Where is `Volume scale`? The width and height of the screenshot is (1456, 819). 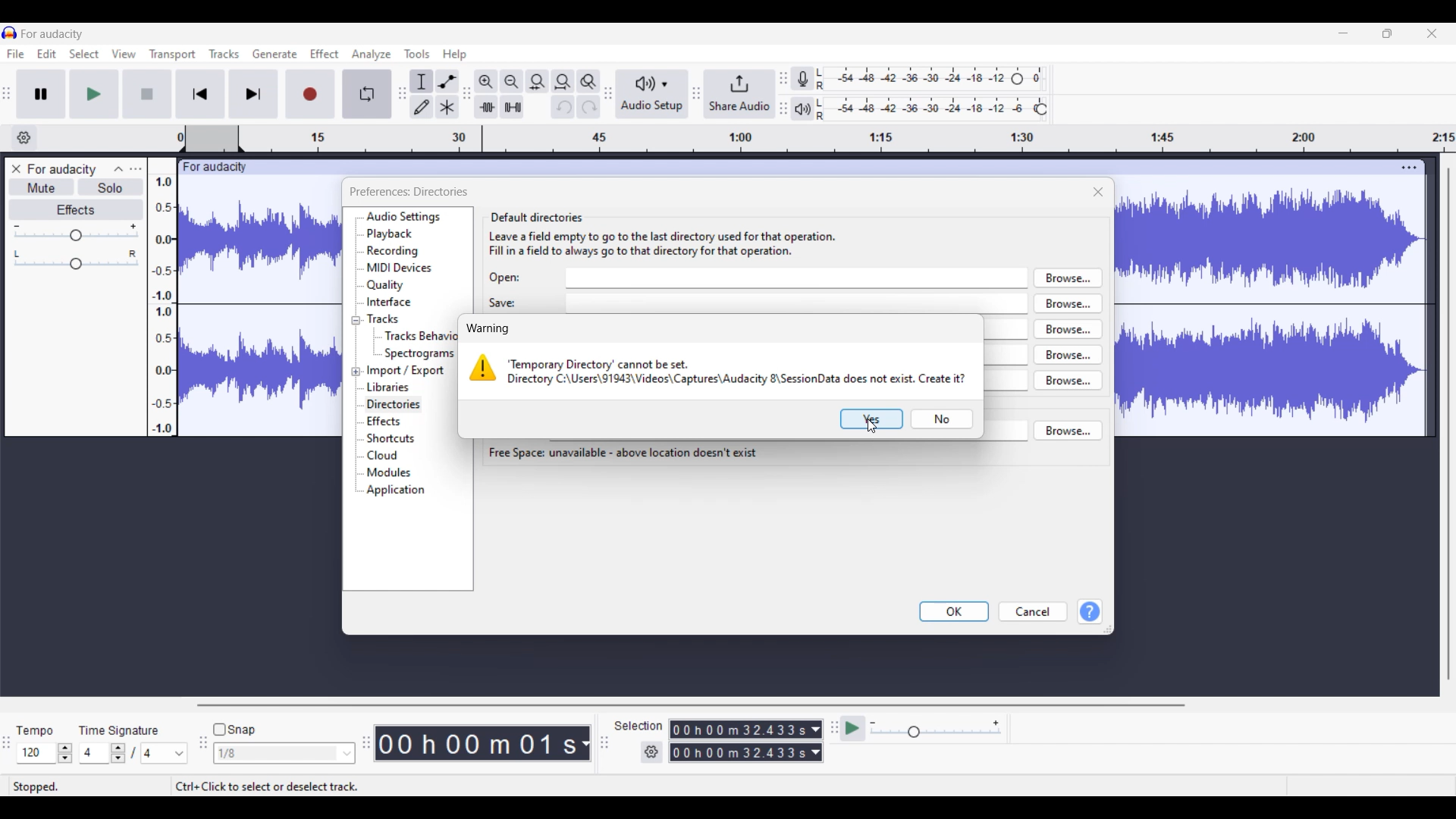
Volume scale is located at coordinates (76, 231).